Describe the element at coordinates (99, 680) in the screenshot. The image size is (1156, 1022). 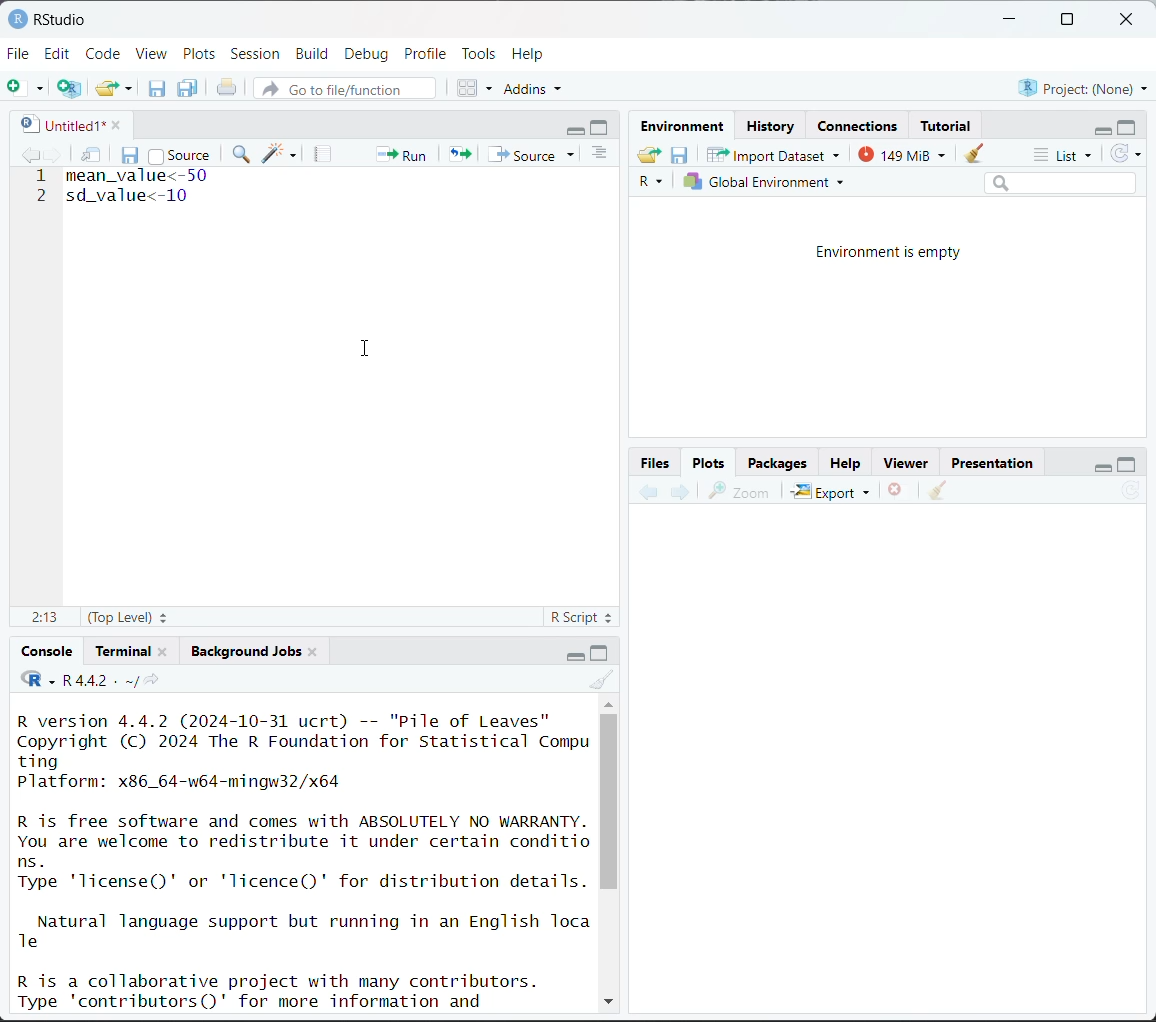
I see `R 4.4.2 . ~/` at that location.